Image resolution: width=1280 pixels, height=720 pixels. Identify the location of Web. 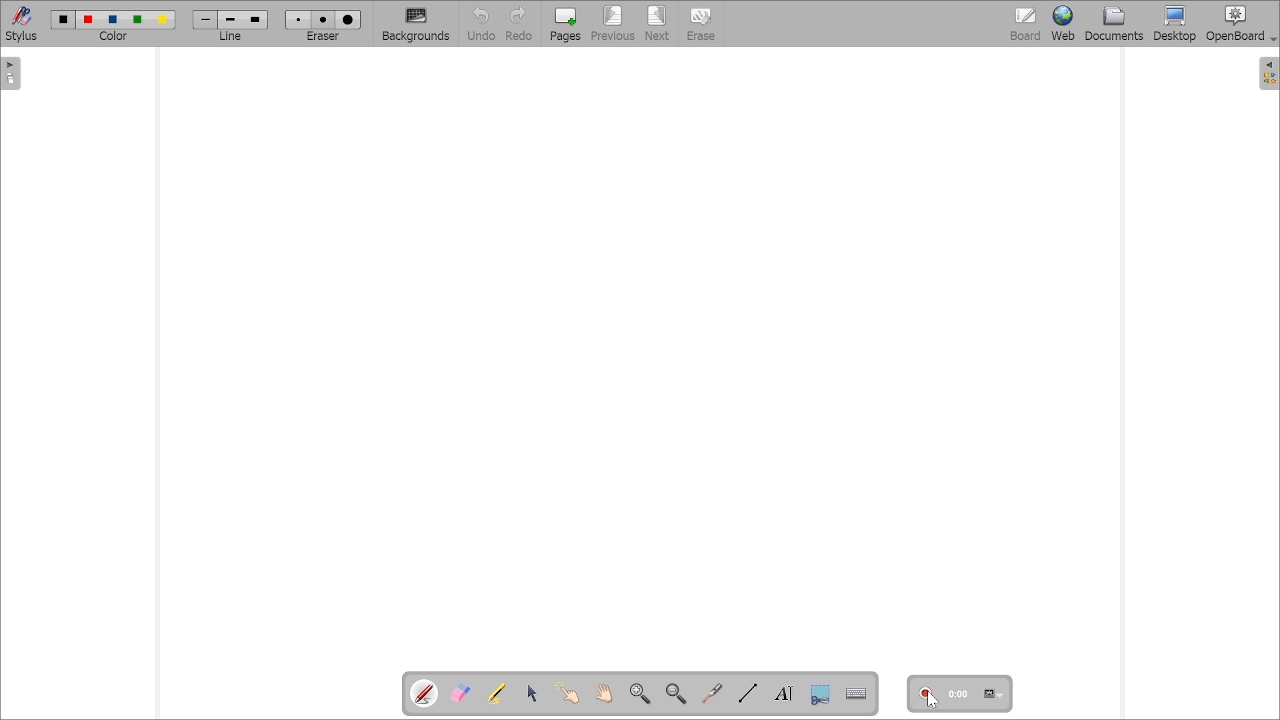
(1059, 23).